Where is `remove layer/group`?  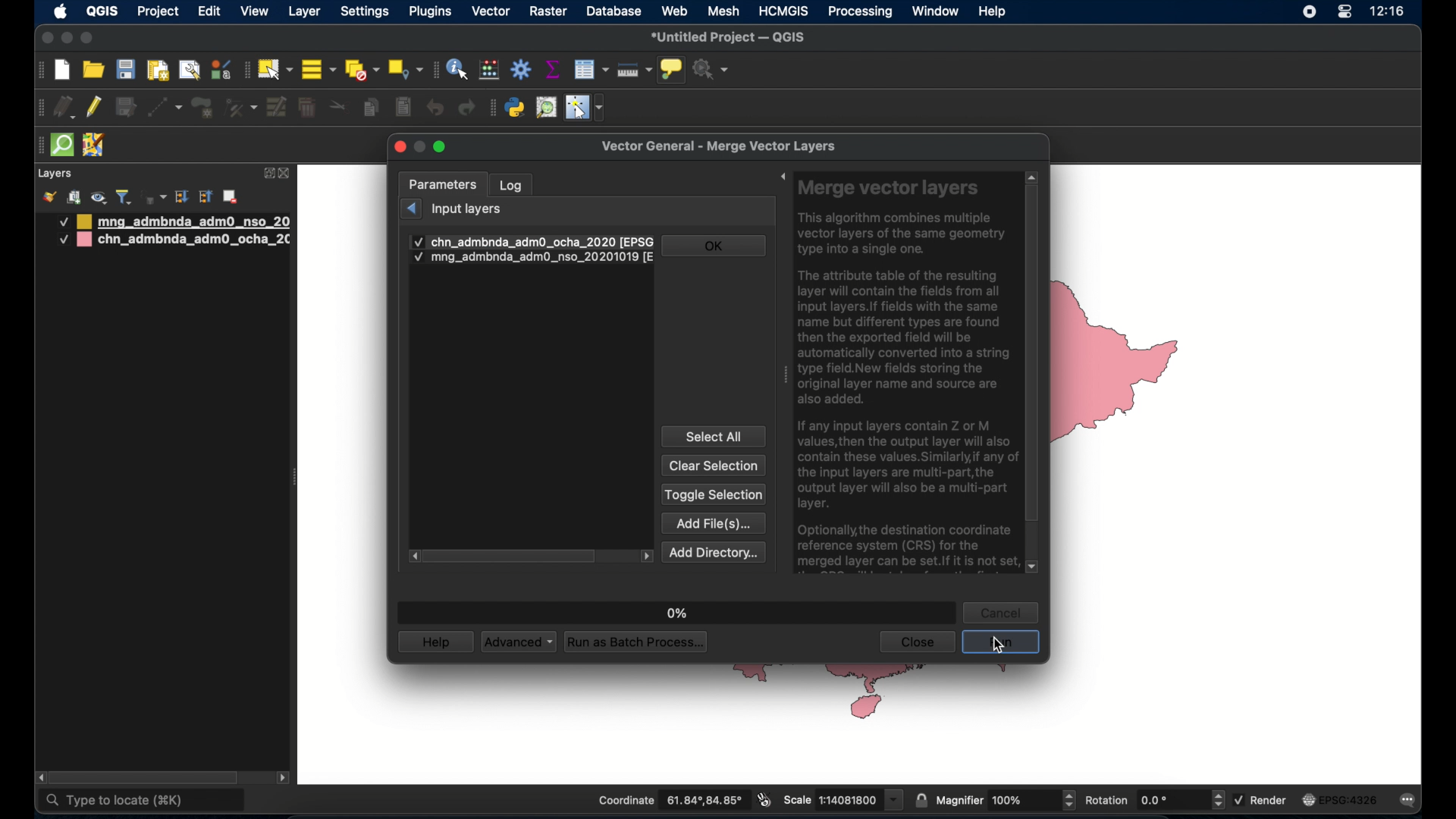
remove layer/group is located at coordinates (233, 196).